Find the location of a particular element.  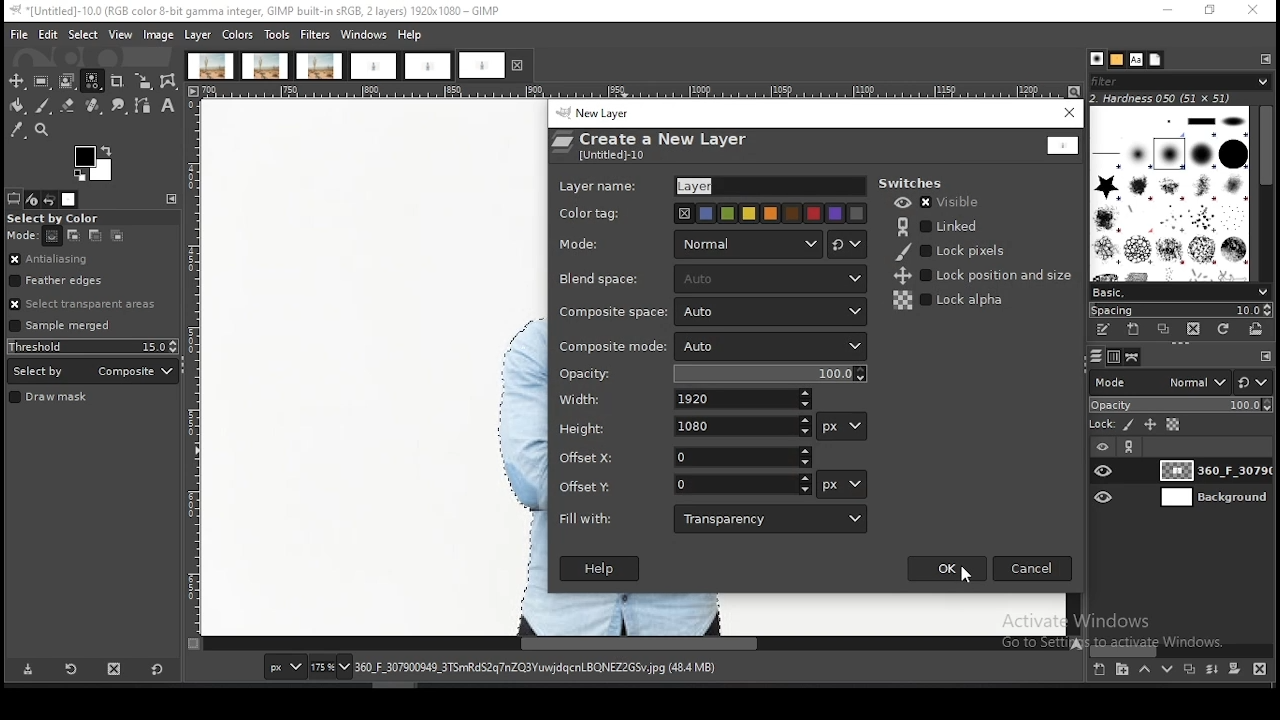

layer is located at coordinates (1212, 497).